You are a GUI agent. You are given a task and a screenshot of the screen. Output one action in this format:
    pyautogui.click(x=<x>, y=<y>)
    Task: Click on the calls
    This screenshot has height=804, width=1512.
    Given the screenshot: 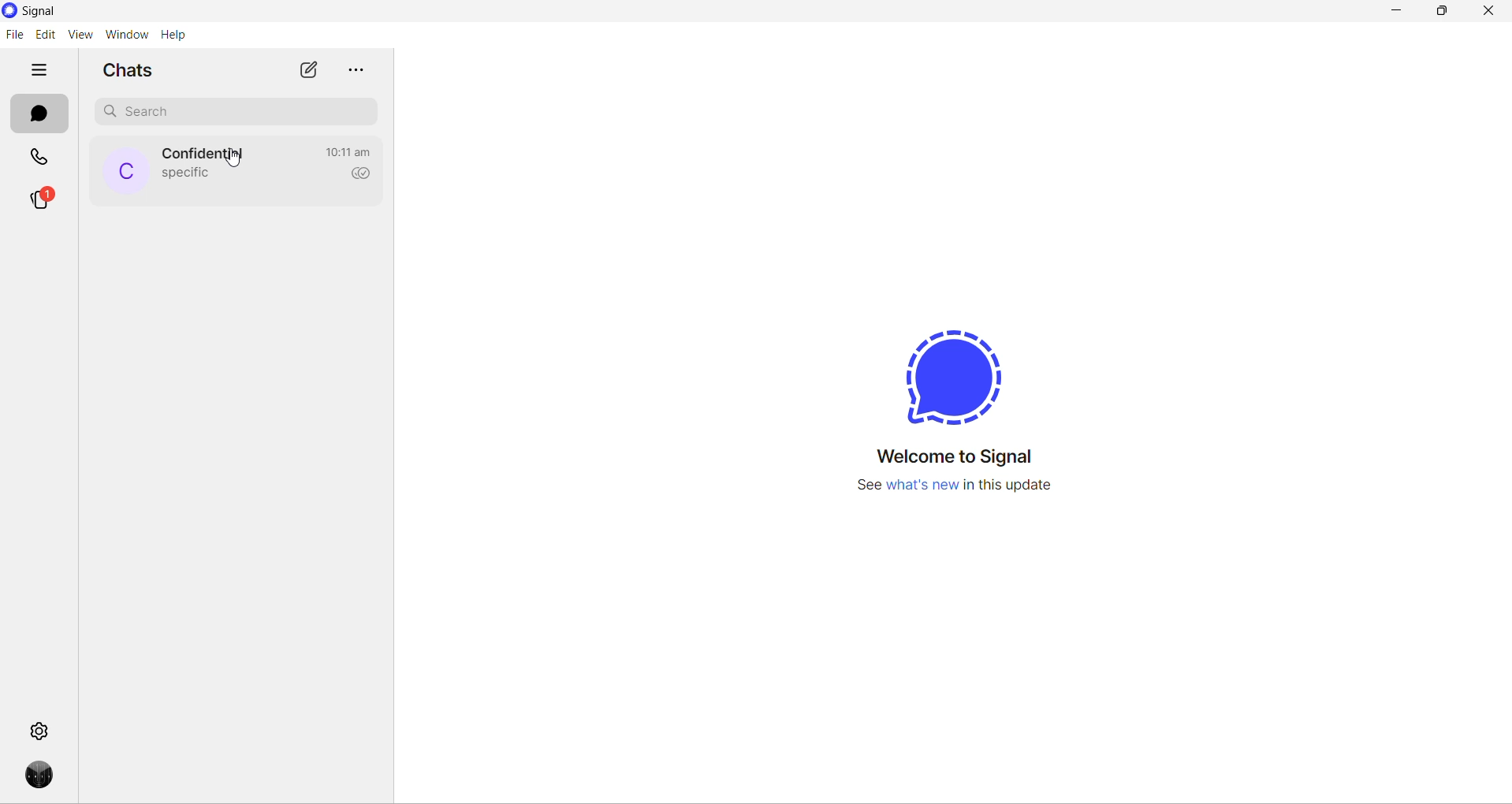 What is the action you would take?
    pyautogui.click(x=39, y=155)
    